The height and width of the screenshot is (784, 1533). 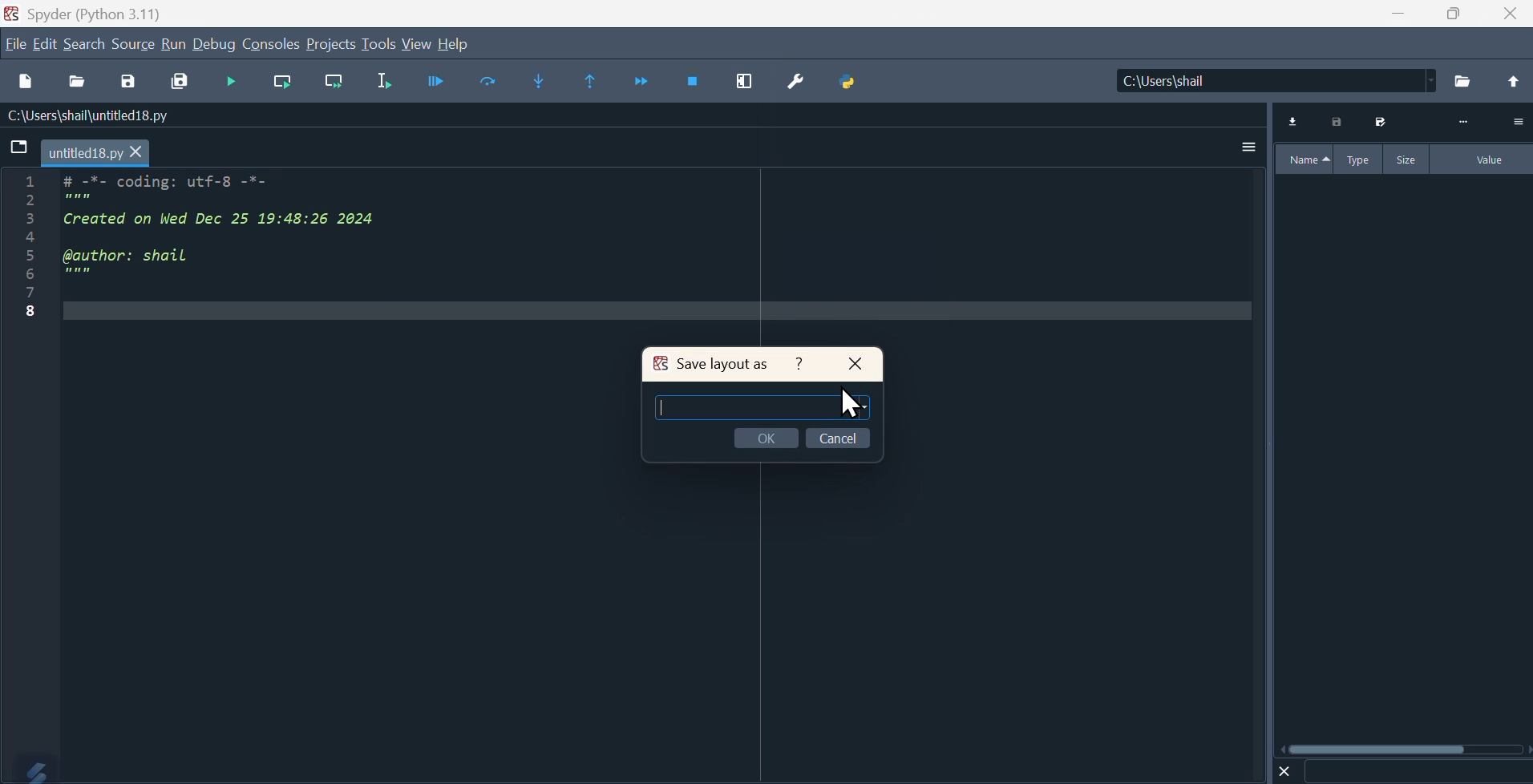 I want to click on Debugger, so click(x=435, y=81).